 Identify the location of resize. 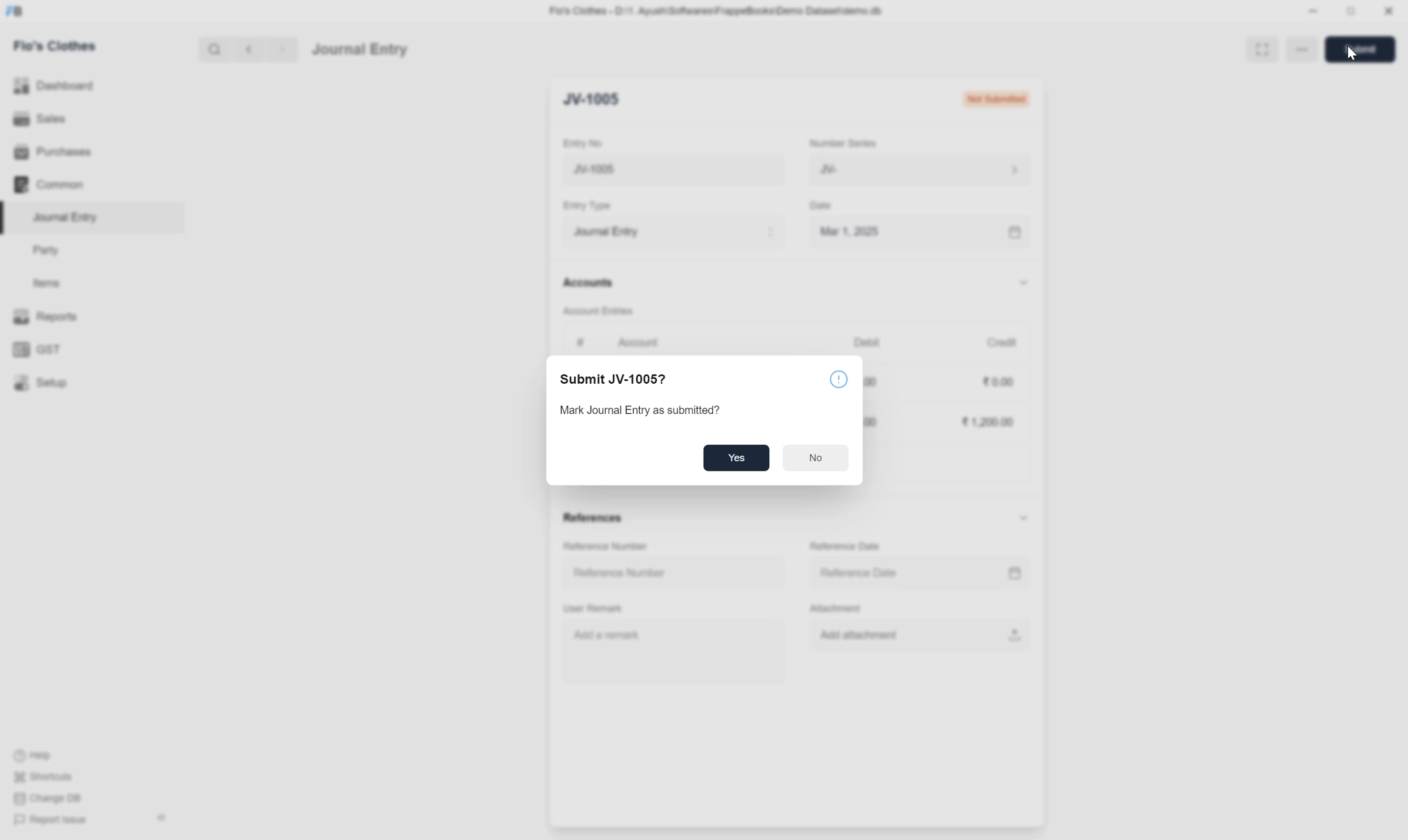
(1349, 11).